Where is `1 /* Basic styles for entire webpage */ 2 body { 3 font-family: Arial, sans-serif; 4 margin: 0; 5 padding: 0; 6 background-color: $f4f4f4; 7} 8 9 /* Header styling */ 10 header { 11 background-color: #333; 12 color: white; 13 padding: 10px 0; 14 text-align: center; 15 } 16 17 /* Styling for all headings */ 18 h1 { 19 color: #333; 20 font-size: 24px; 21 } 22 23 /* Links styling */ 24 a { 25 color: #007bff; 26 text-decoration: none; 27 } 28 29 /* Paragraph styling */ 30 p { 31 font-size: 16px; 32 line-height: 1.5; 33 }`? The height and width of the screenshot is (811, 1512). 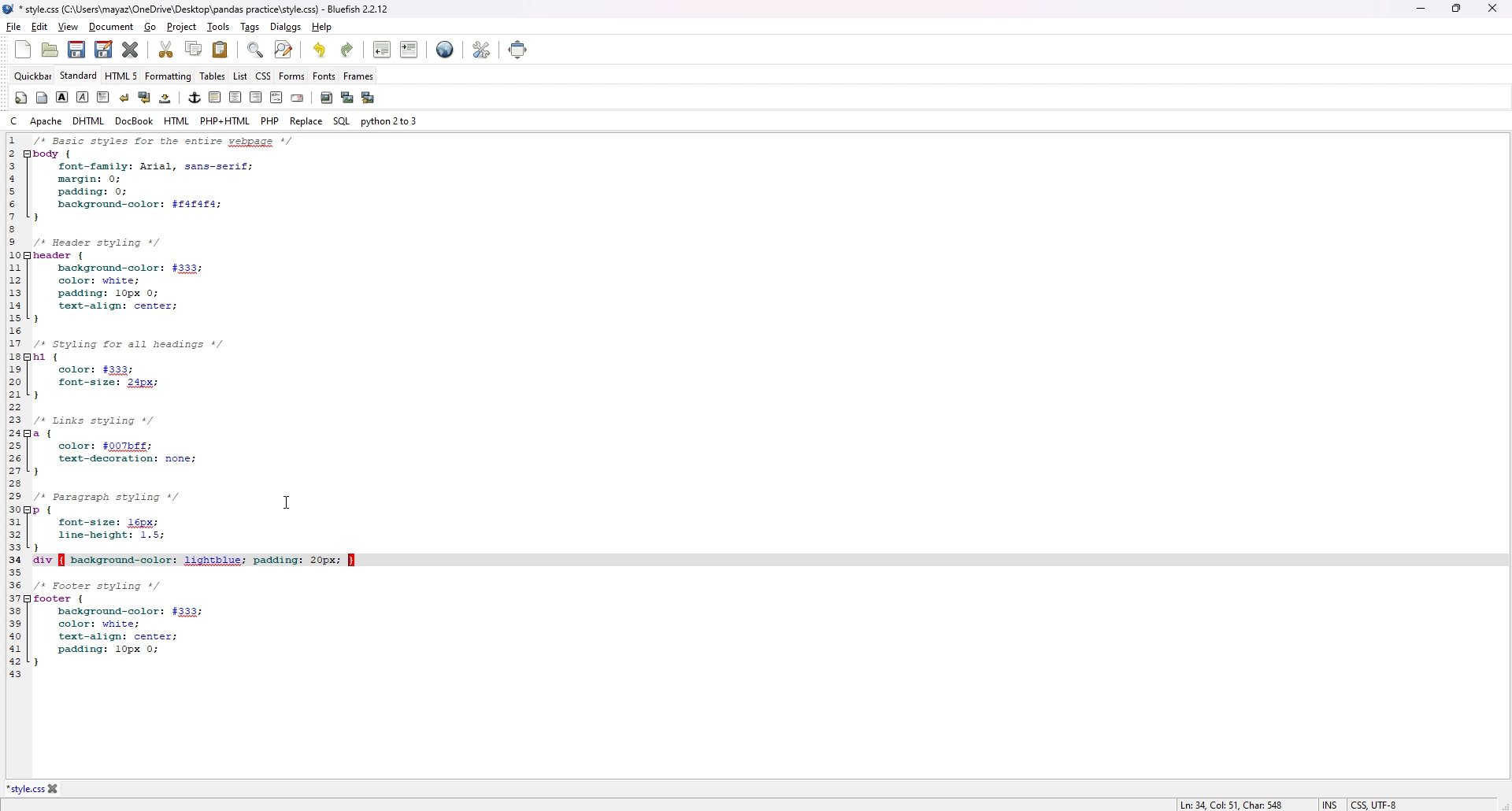
1 /* Basic styles for entire webpage */ 2 body { 3 font-family: Arial, sans-serif; 4 margin: 0; 5 padding: 0; 6 background-color: $f4f4f4; 7} 8 9 /* Header styling */ 10 header { 11 background-color: #333; 12 color: white; 13 padding: 10px 0; 14 text-align: center; 15 } 16 17 /* Styling for all headings */ 18 h1 { 19 color: #333; 20 font-size: 24px; 21 } 22 23 /* Links styling */ 24 a { 25 color: #007bff; 26 text-decoration: none; 27 } 28 29 /* Paragraph styling */ 30 p { 31 font-size: 16px; 32 line-height: 1.5; 33 } is located at coordinates (152, 342).